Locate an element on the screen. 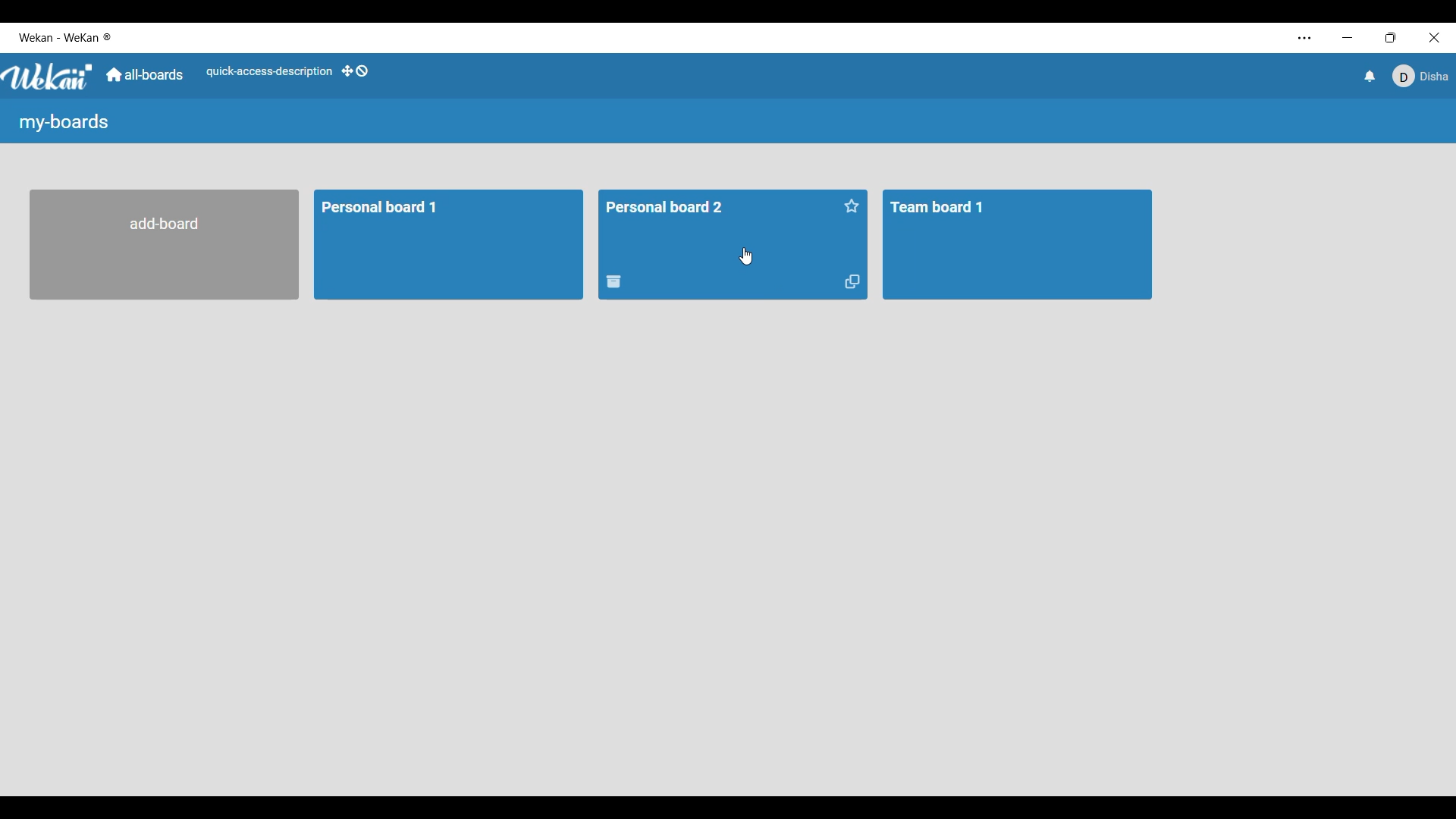 The height and width of the screenshot is (819, 1456). Duplicate board is located at coordinates (852, 282).